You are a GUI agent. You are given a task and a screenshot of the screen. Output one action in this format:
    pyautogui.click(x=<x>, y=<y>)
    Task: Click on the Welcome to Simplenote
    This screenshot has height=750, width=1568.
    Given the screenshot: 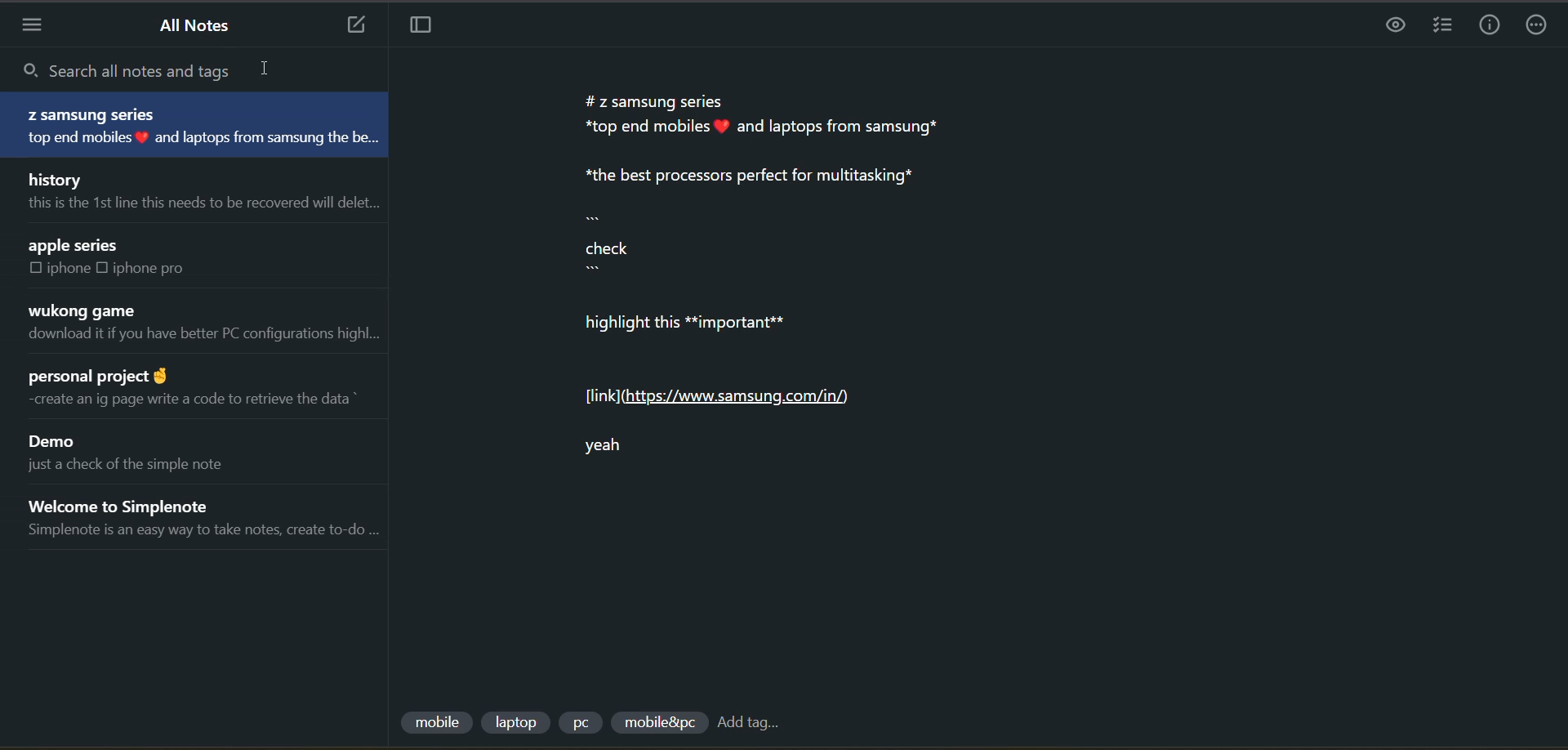 What is the action you would take?
    pyautogui.click(x=133, y=502)
    